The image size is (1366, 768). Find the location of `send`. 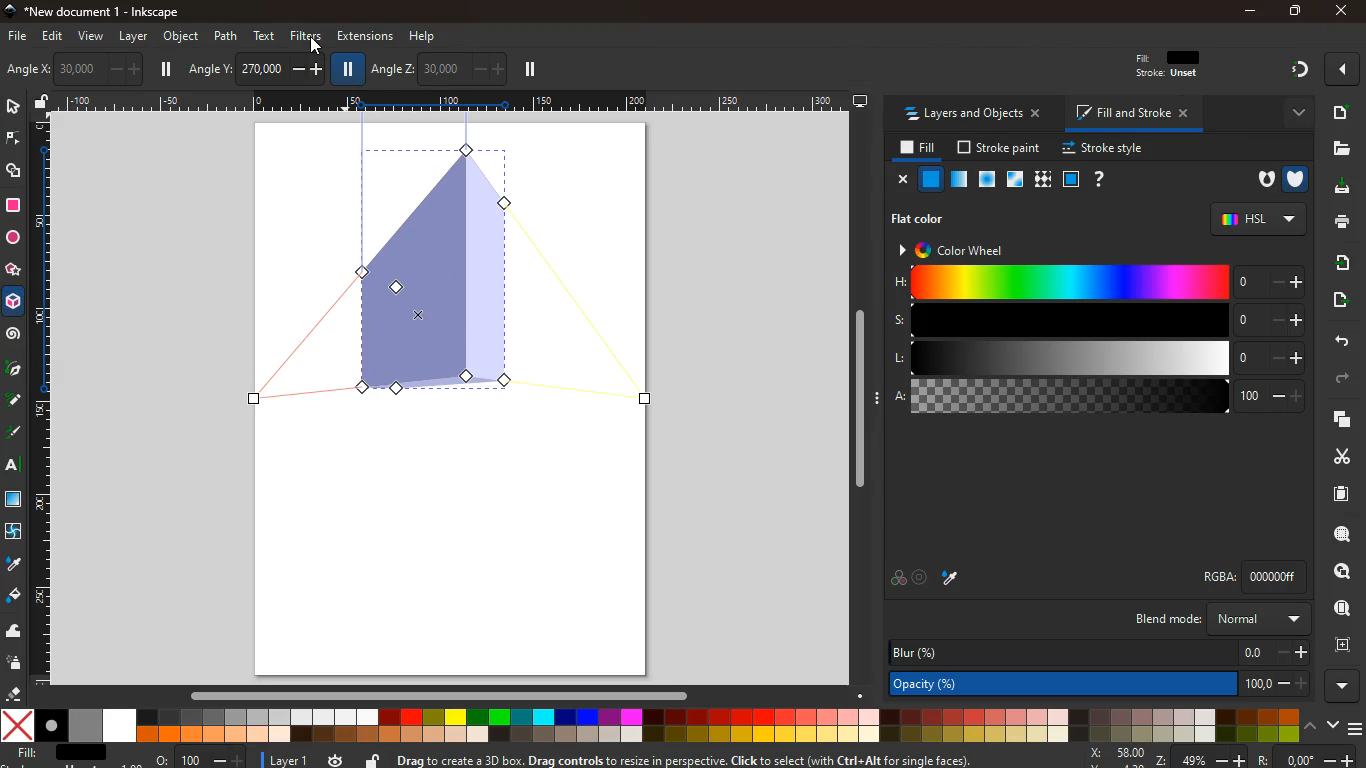

send is located at coordinates (1335, 300).